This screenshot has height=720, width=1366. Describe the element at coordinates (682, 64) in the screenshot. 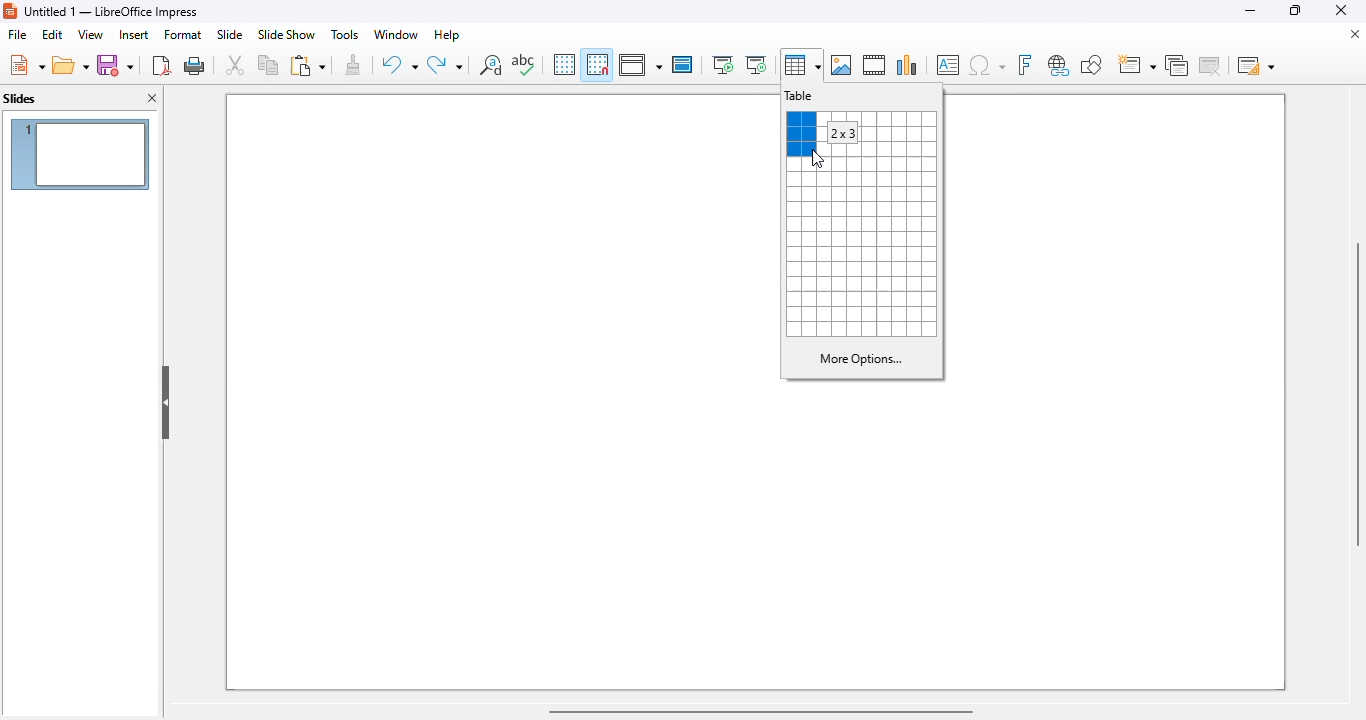

I see `master slide` at that location.